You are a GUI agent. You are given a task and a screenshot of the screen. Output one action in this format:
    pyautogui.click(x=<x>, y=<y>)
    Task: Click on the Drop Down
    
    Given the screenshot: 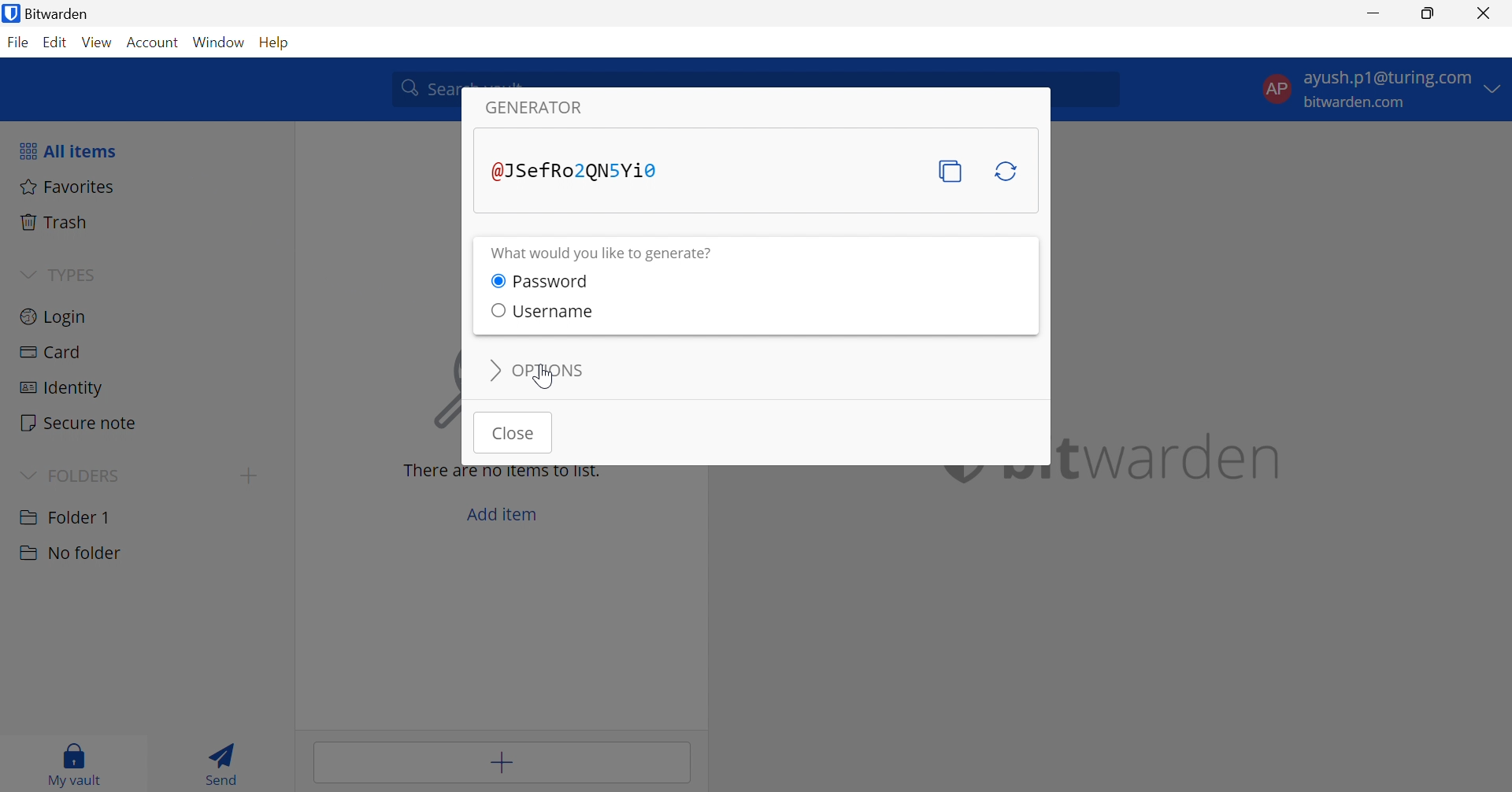 What is the action you would take?
    pyautogui.click(x=494, y=369)
    